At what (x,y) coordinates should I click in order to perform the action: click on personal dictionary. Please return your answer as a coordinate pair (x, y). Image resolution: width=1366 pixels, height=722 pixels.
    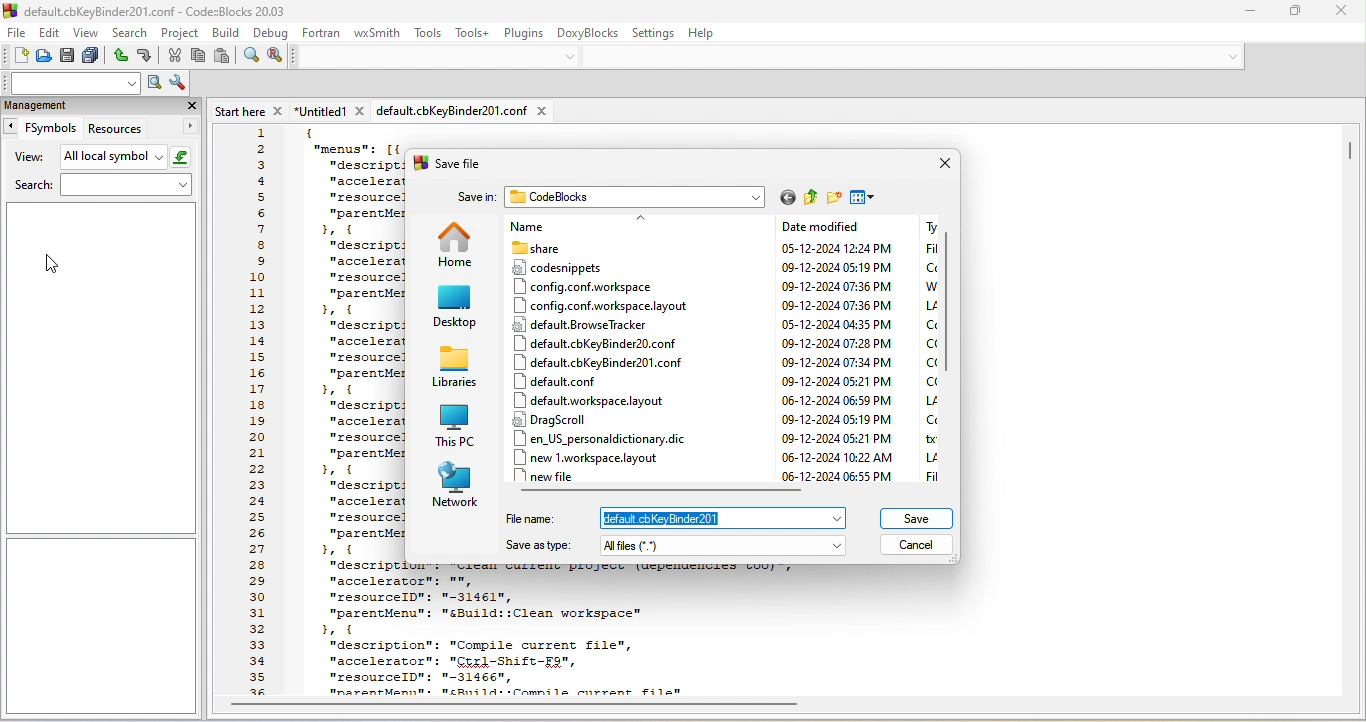
    Looking at the image, I should click on (607, 438).